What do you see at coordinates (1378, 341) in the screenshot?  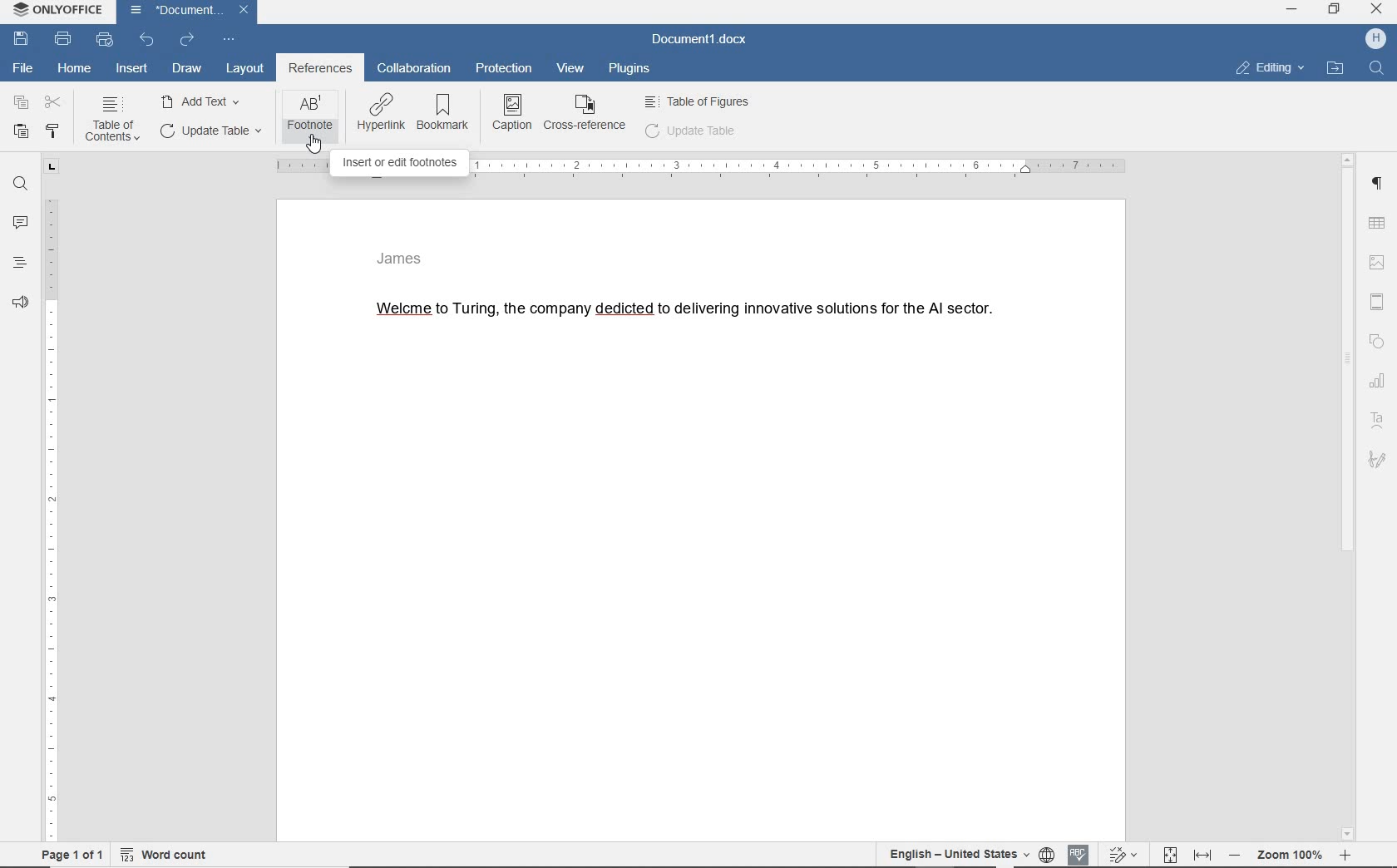 I see `SHAPES` at bounding box center [1378, 341].